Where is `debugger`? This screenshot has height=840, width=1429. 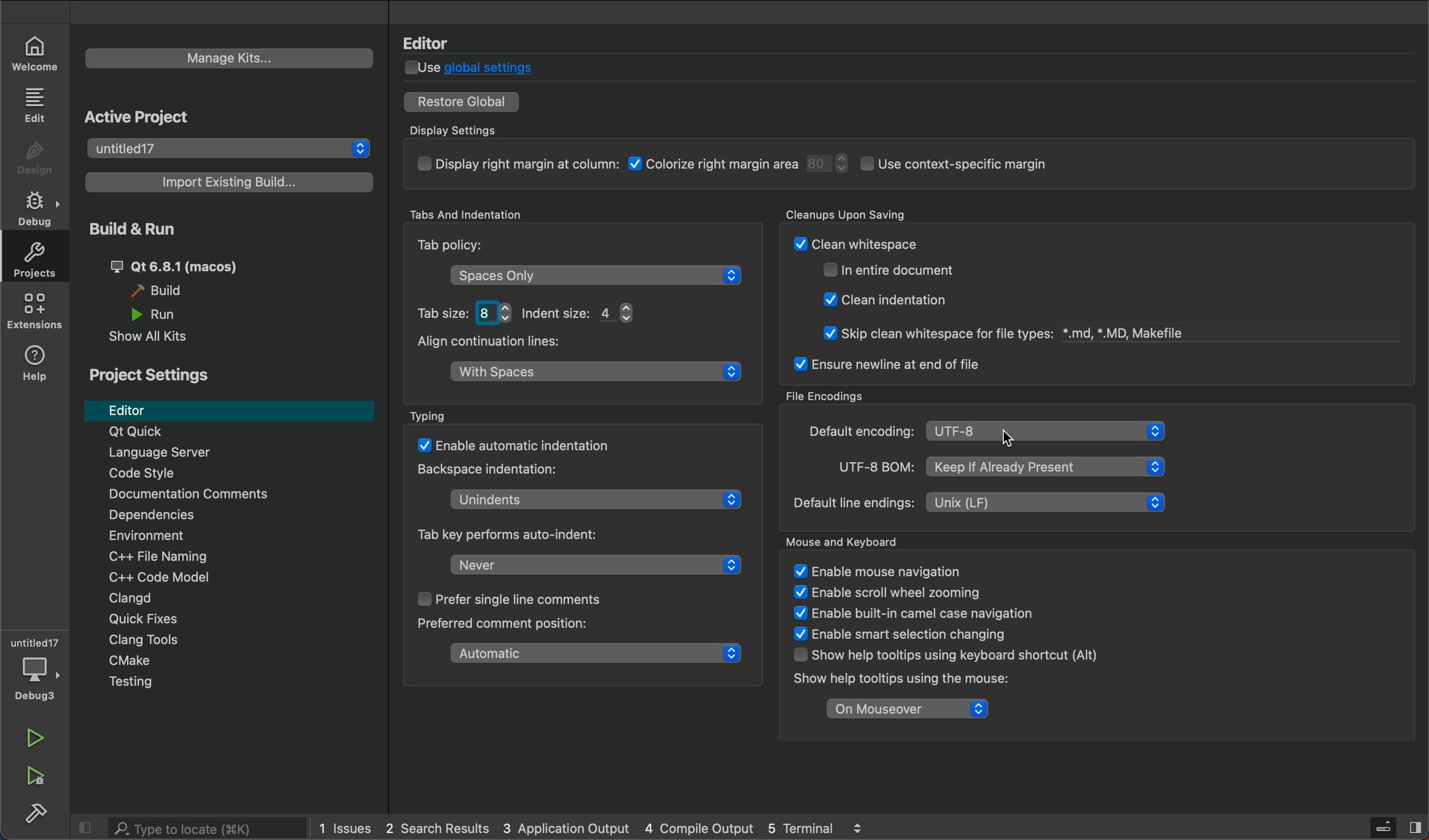 debugger is located at coordinates (36, 670).